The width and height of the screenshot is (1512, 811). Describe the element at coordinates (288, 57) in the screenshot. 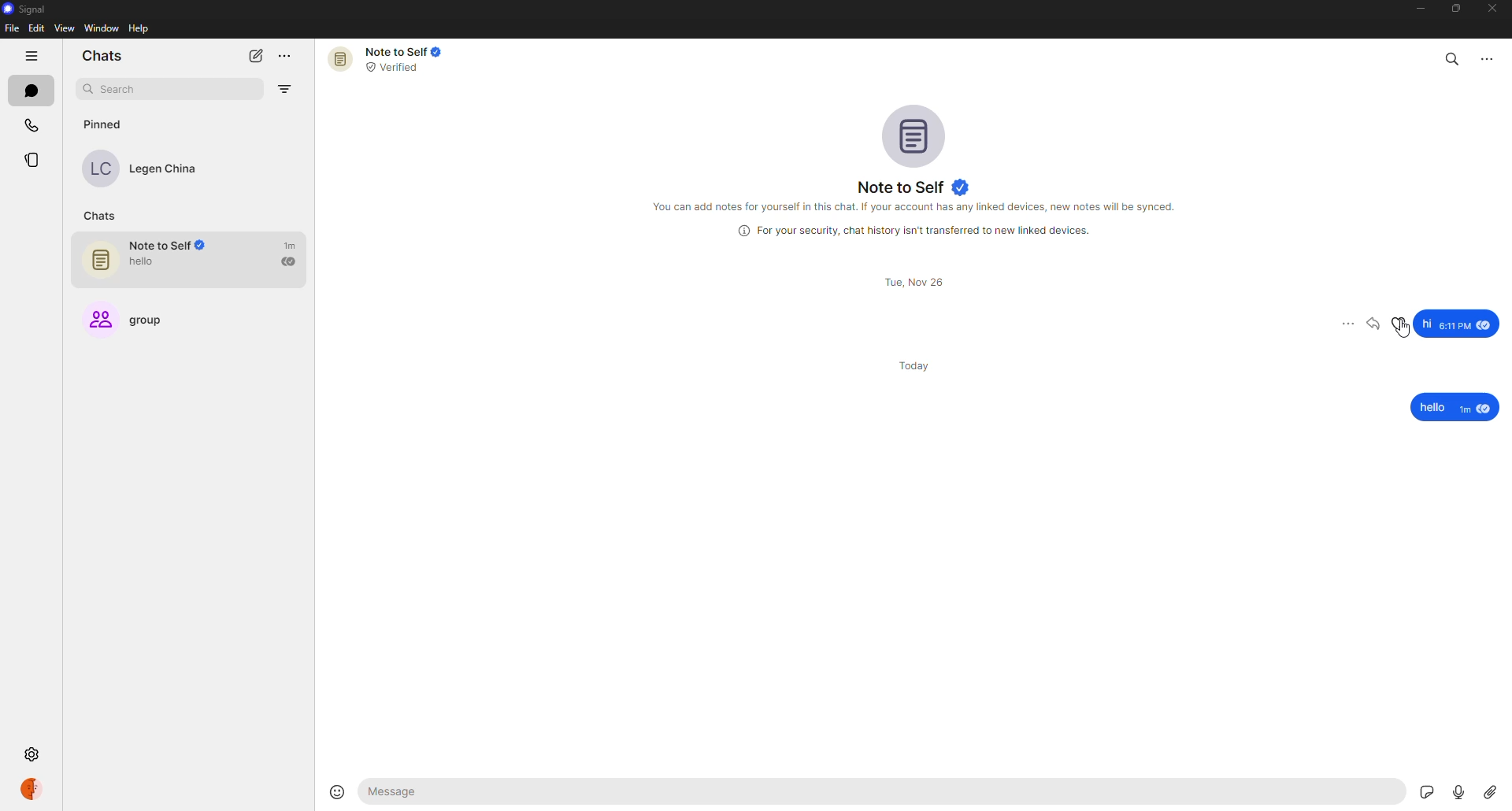

I see `more` at that location.